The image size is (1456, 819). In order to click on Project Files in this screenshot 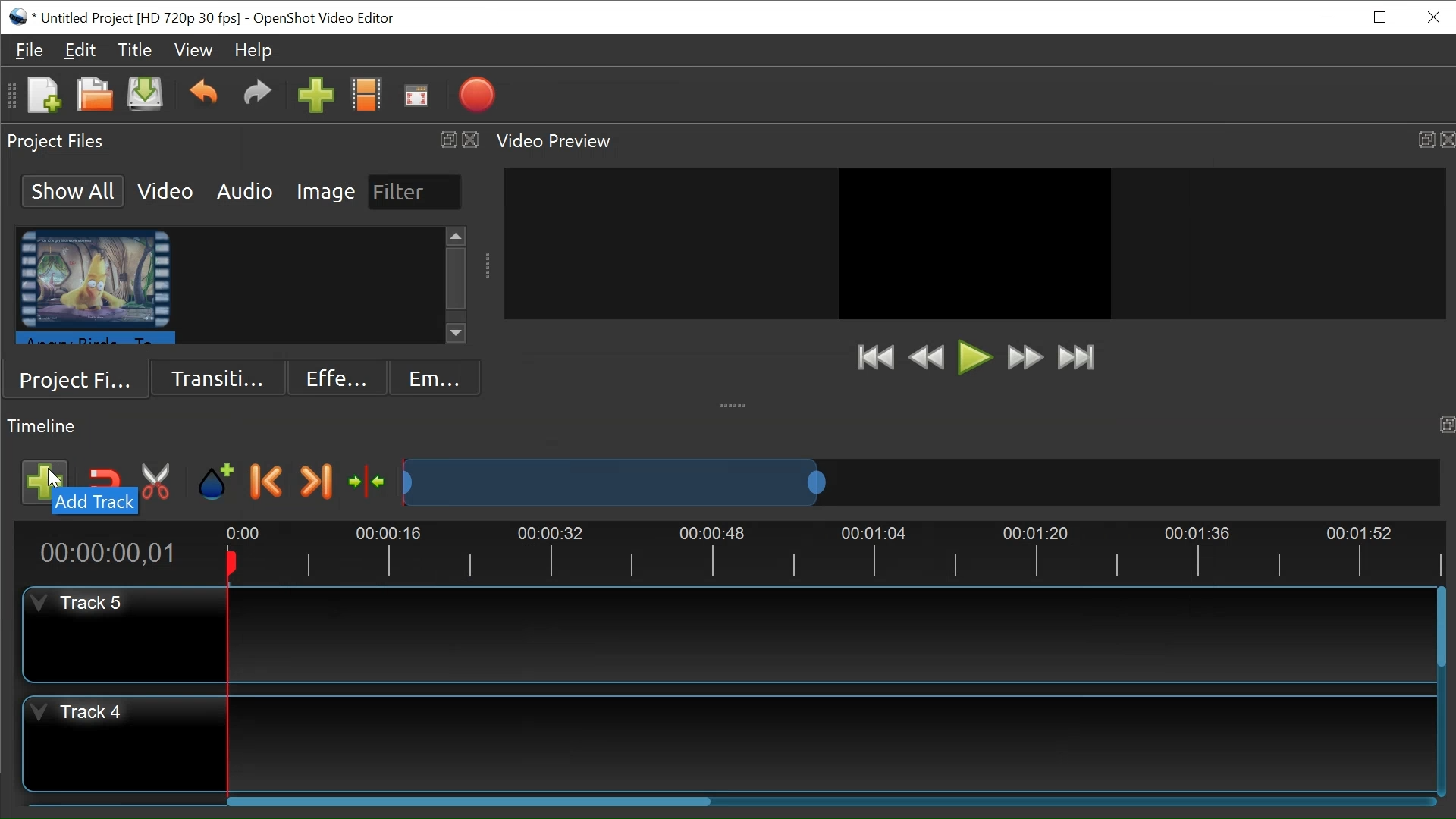, I will do `click(80, 378)`.